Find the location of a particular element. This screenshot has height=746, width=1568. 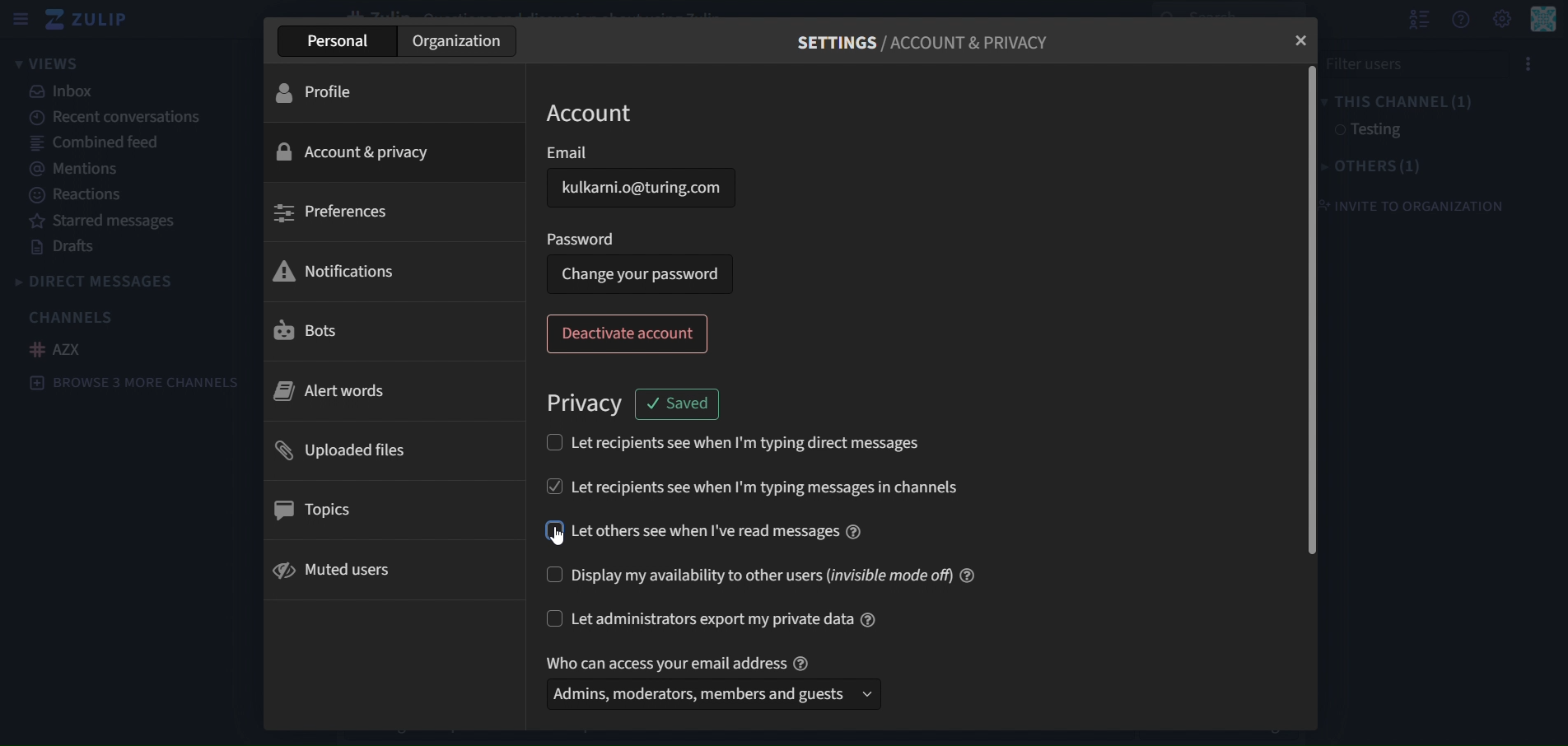

notifications is located at coordinates (339, 271).